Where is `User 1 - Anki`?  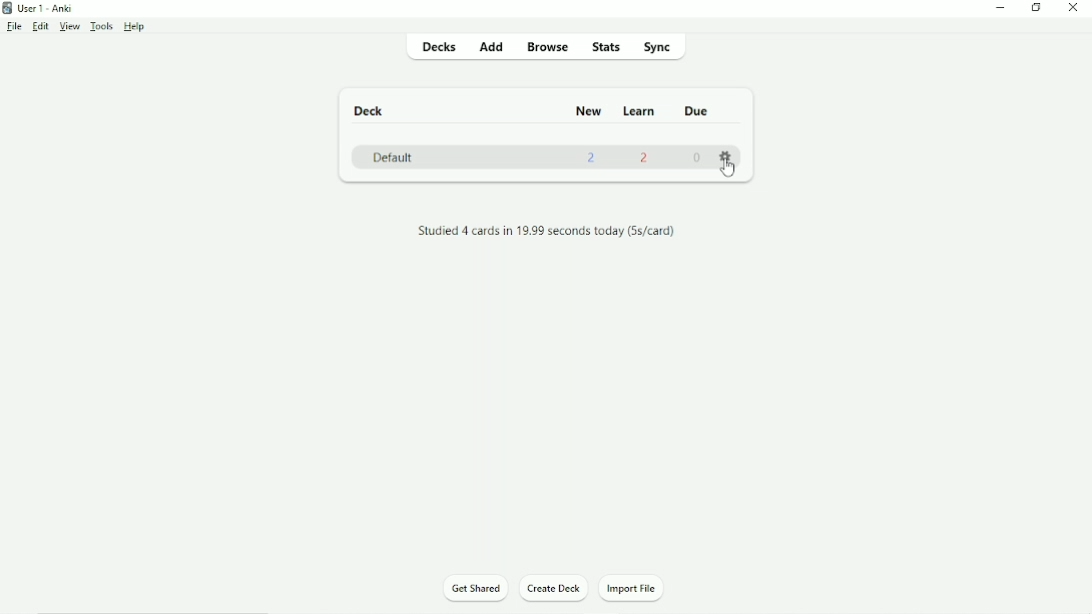
User 1 - Anki is located at coordinates (40, 7).